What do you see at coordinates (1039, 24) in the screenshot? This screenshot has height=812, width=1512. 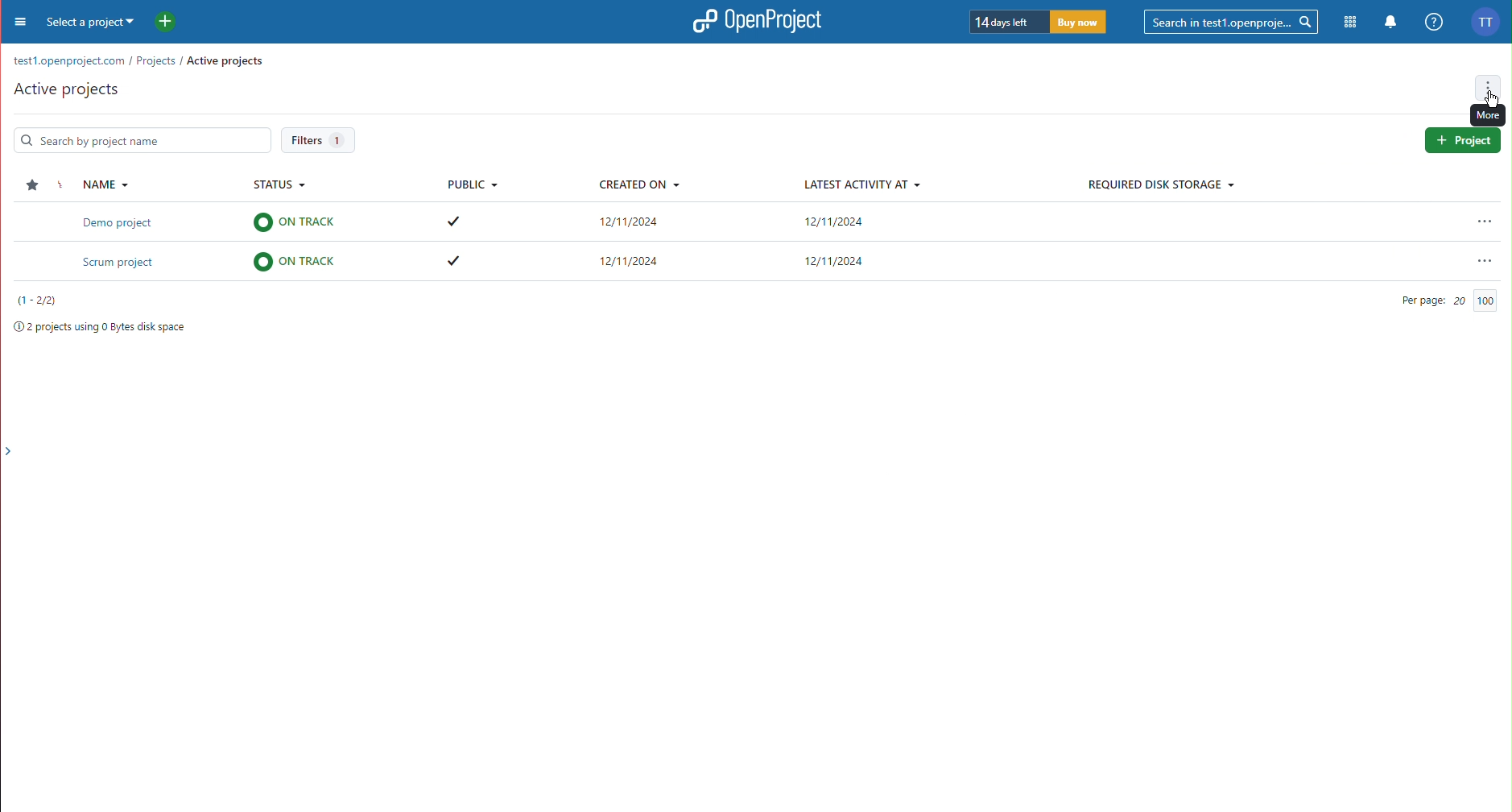 I see `Trial timer` at bounding box center [1039, 24].